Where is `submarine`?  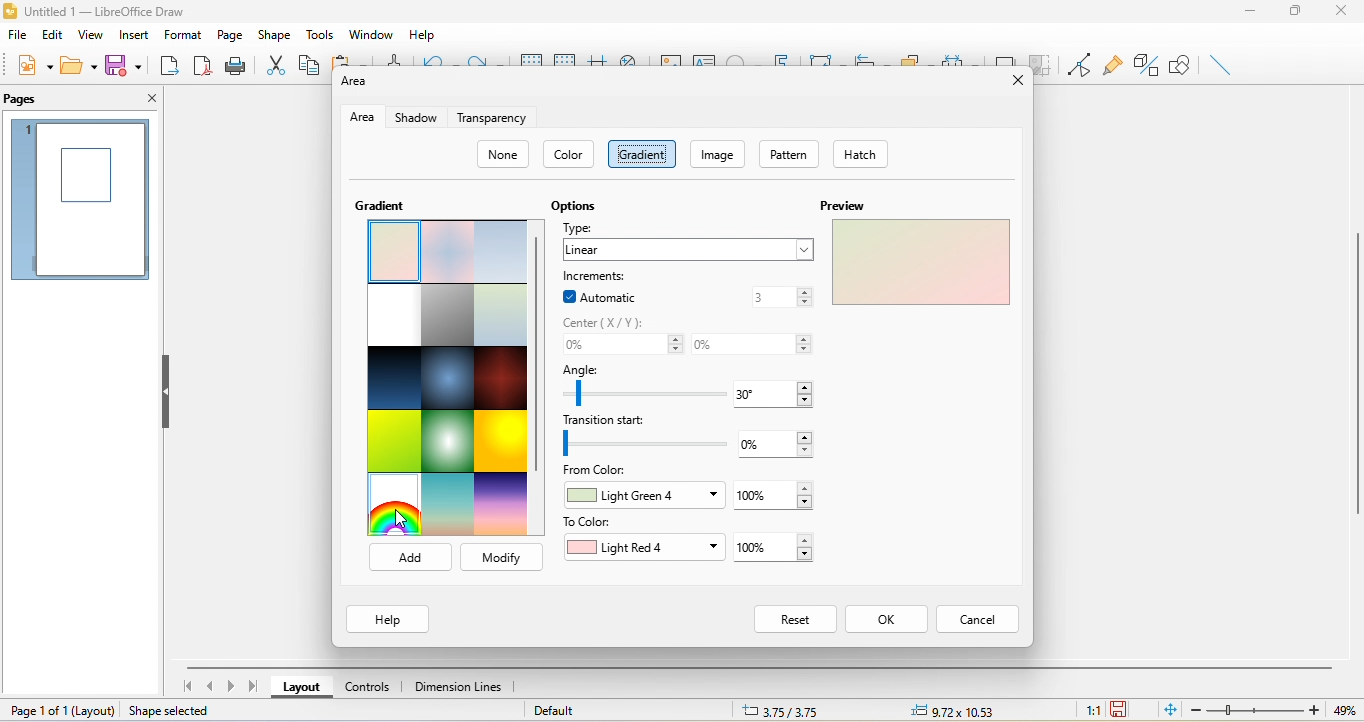 submarine is located at coordinates (501, 317).